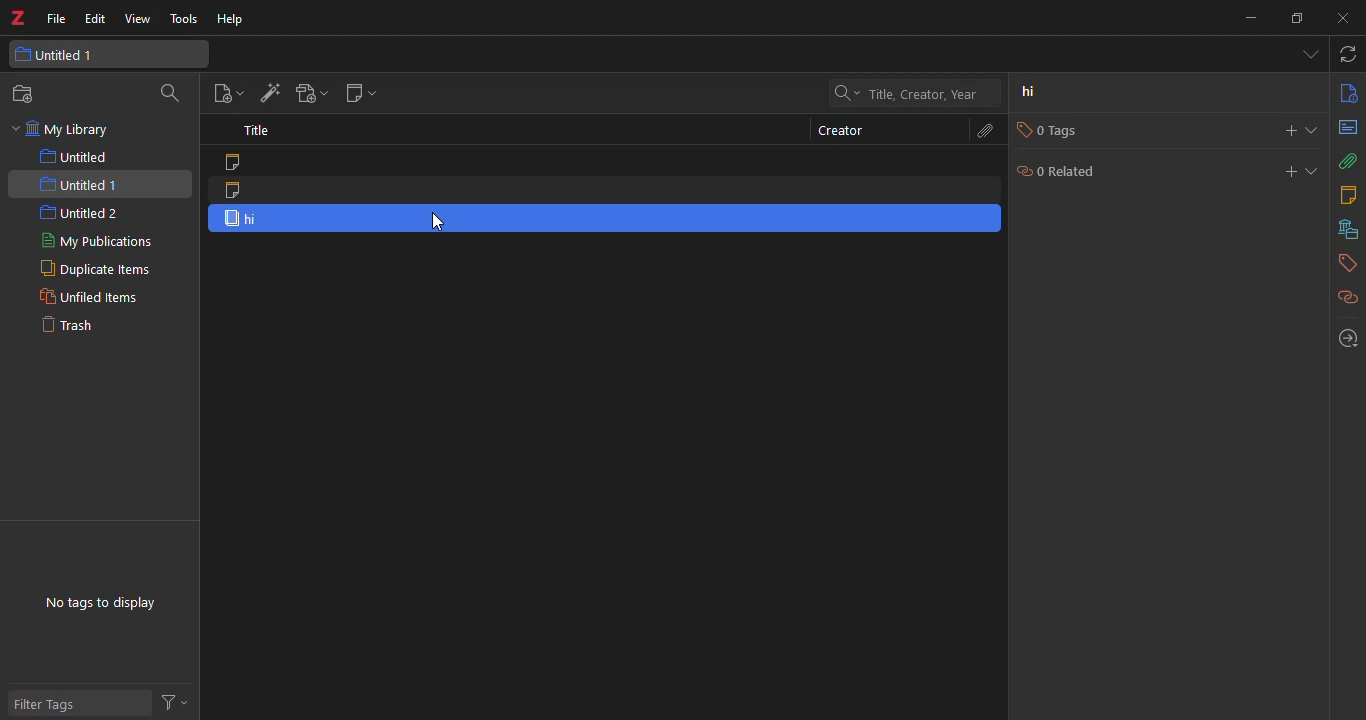 The height and width of the screenshot is (720, 1366). I want to click on actions, so click(180, 705).